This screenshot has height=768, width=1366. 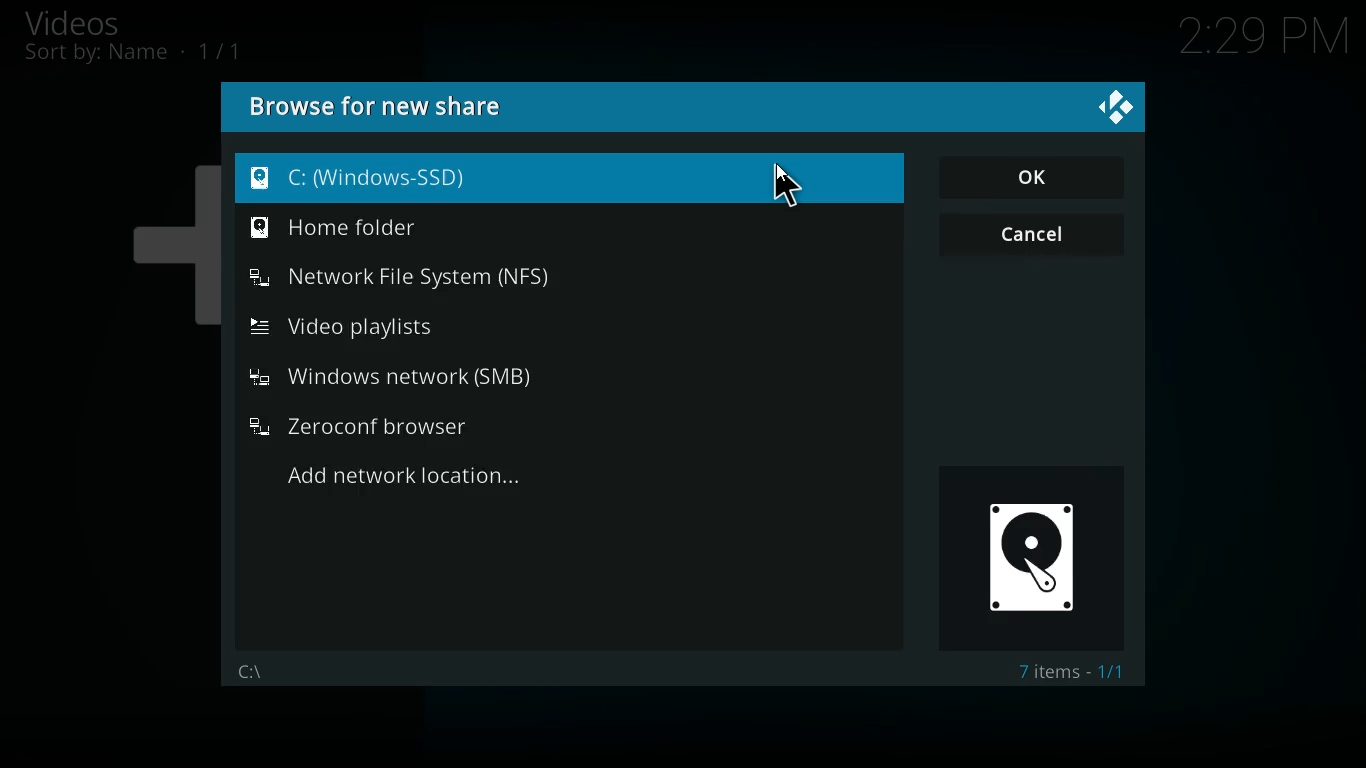 I want to click on cursor, so click(x=781, y=182).